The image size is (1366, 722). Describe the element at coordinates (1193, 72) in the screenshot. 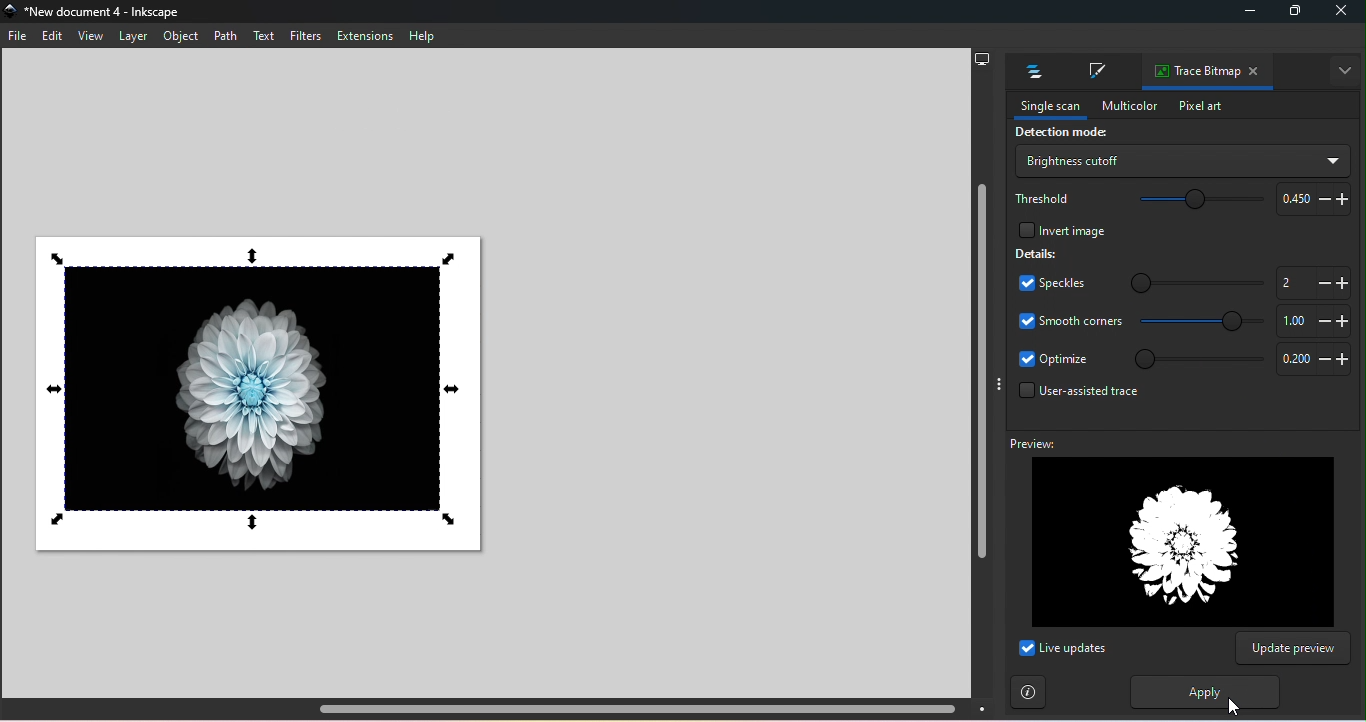

I see `Trace bitmap` at that location.